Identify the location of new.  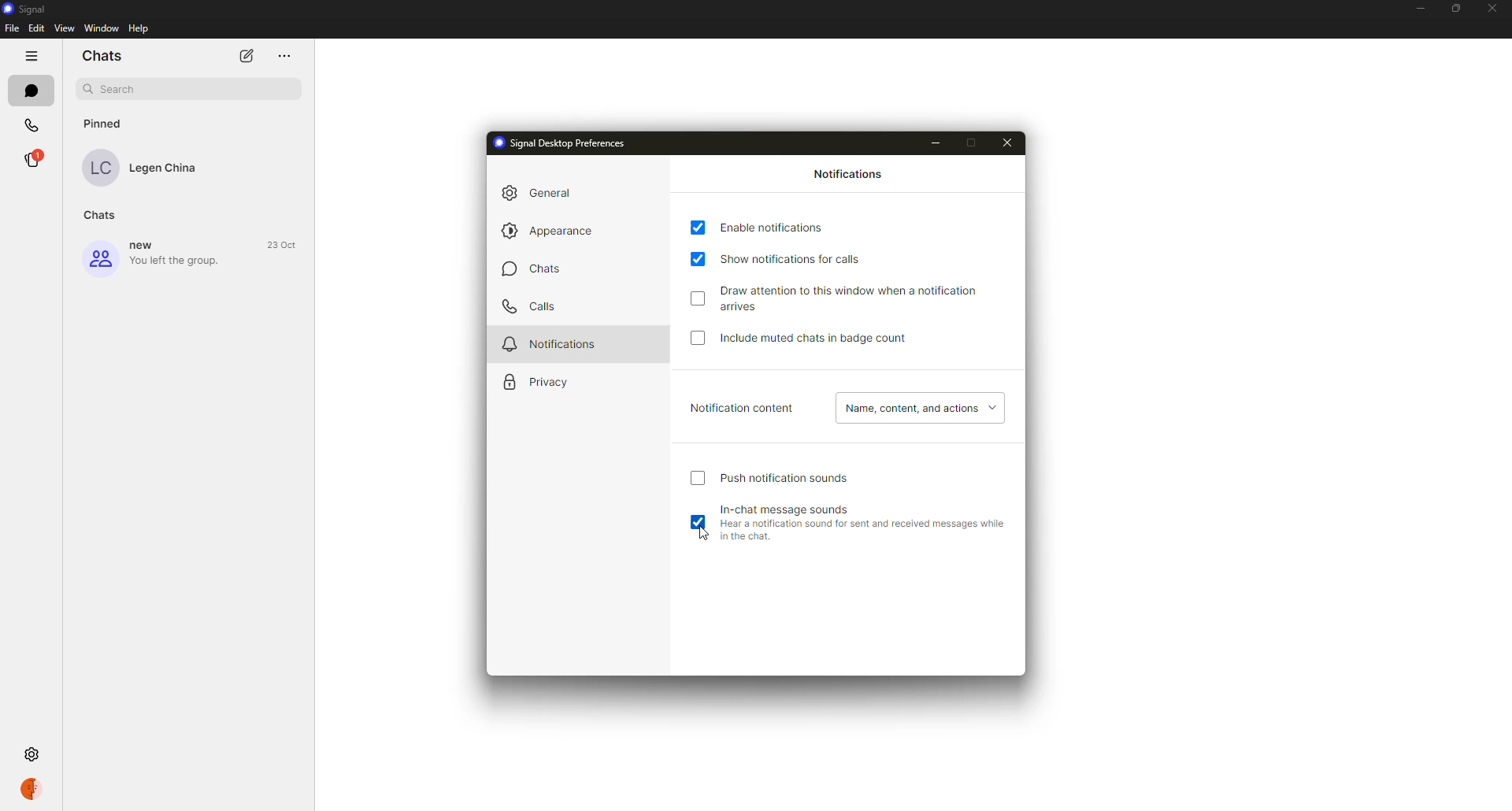
(141, 244).